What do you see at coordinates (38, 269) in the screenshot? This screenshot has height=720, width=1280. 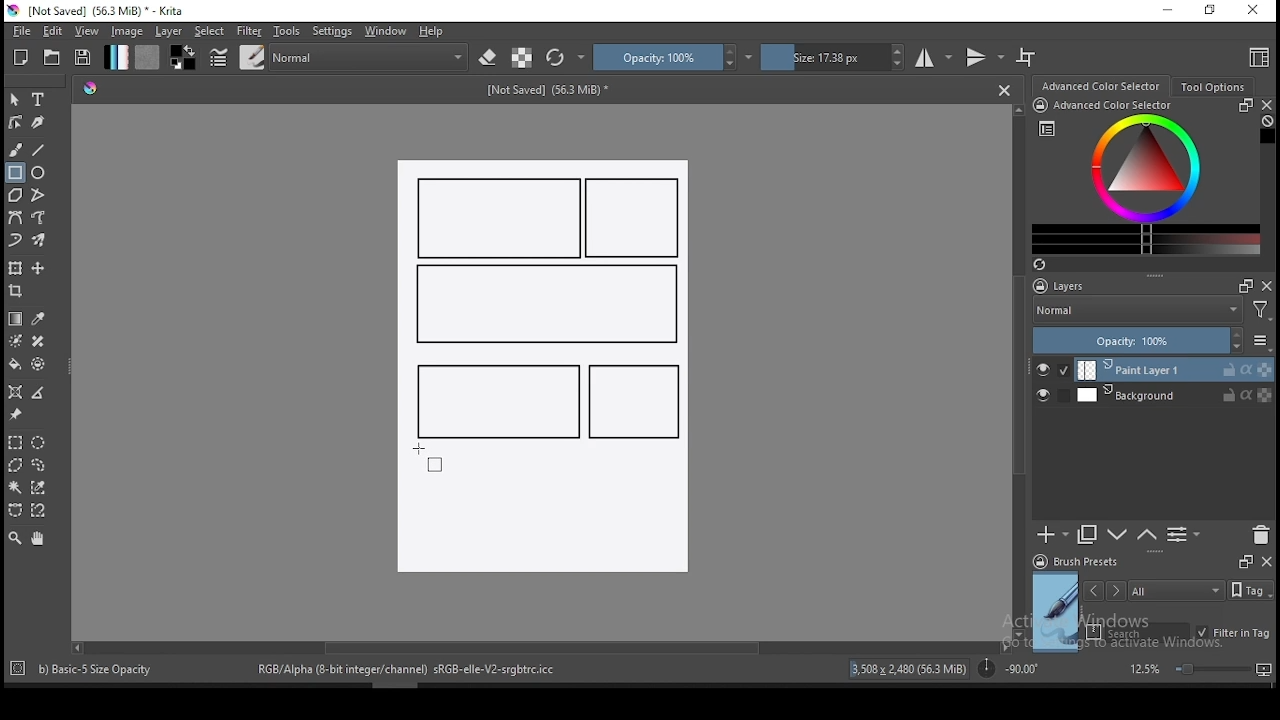 I see `move a layer` at bounding box center [38, 269].